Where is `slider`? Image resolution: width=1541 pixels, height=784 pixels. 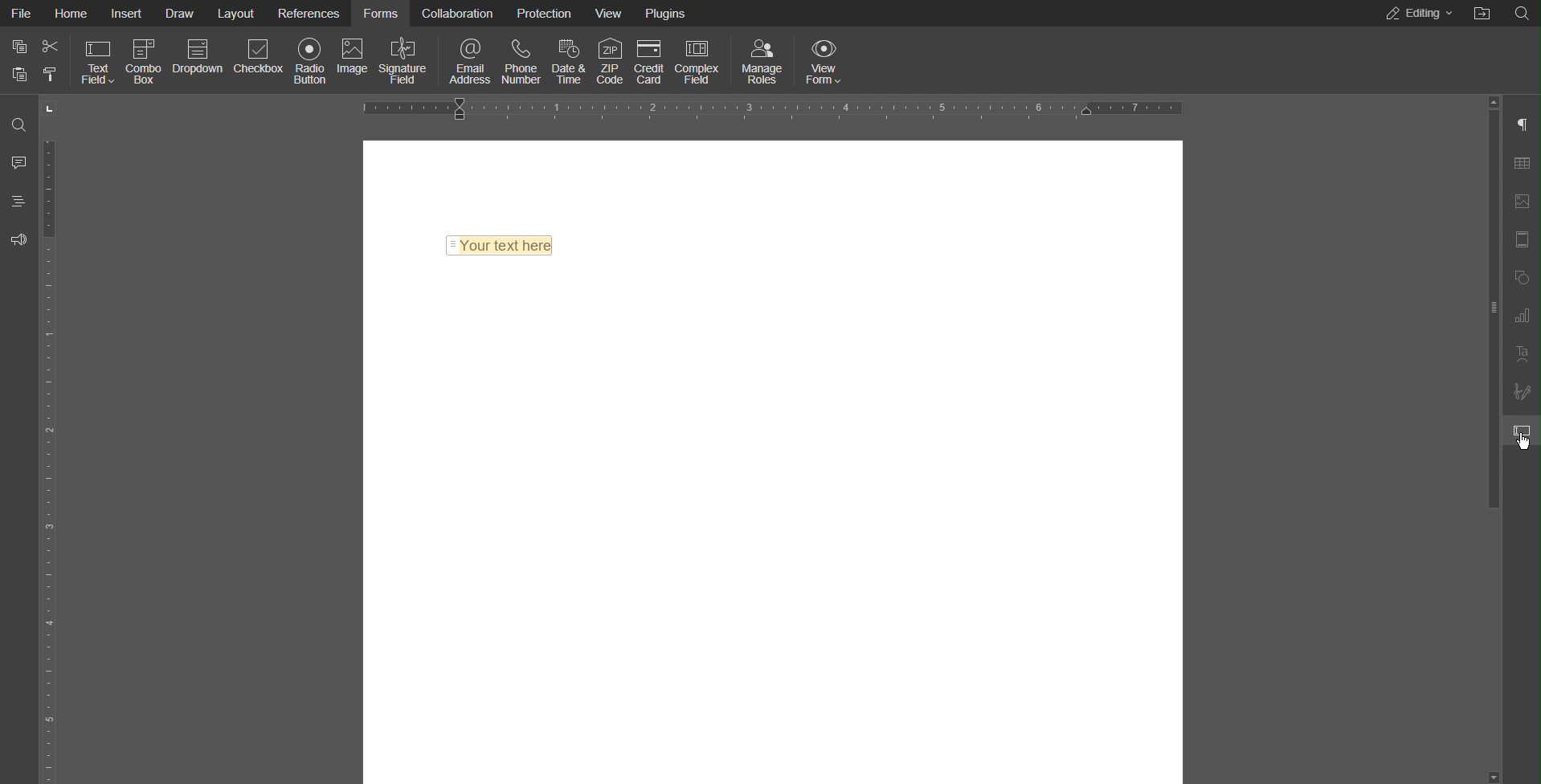
slider is located at coordinates (1486, 296).